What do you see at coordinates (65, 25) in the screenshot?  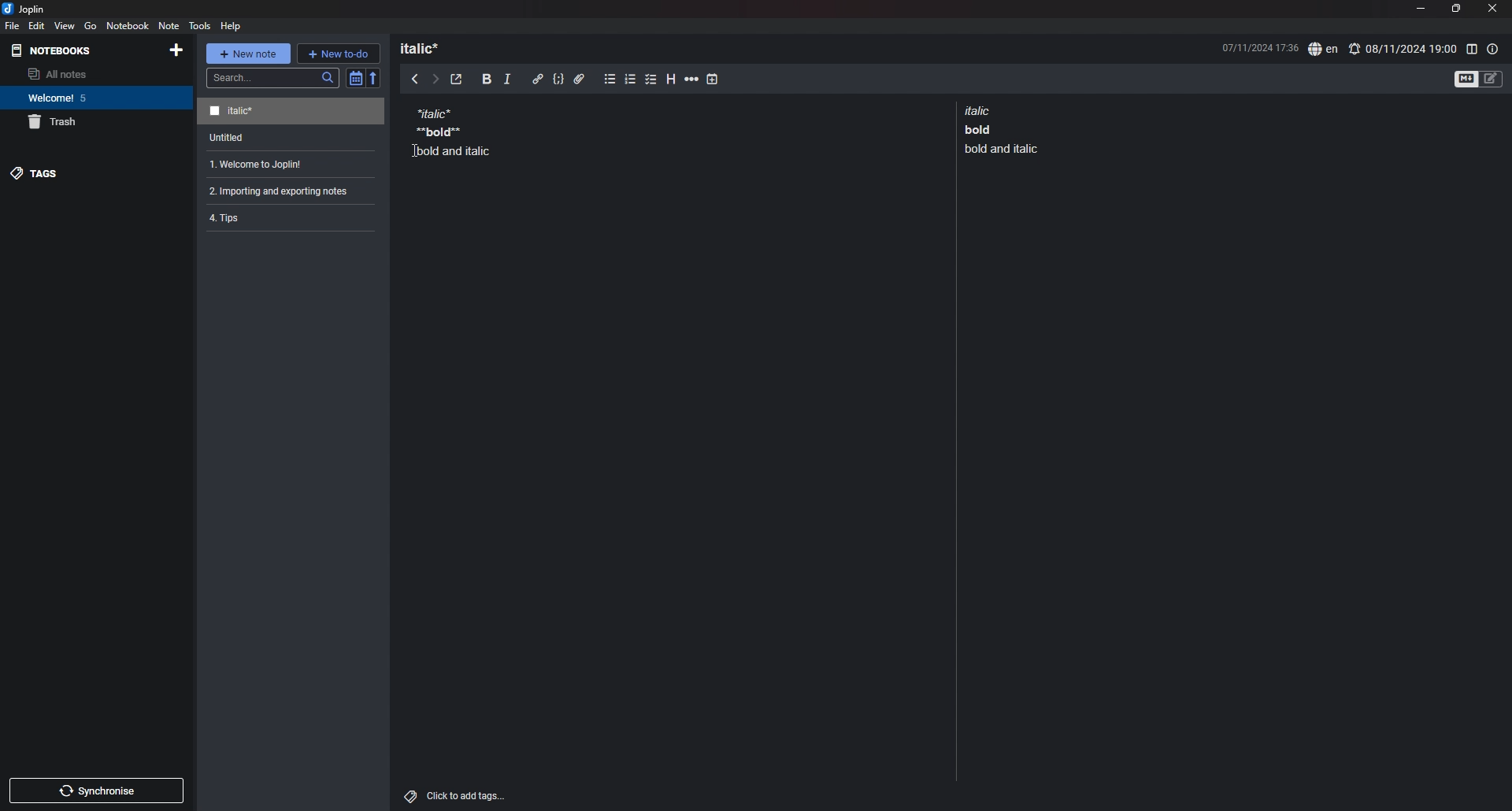 I see `view` at bounding box center [65, 25].